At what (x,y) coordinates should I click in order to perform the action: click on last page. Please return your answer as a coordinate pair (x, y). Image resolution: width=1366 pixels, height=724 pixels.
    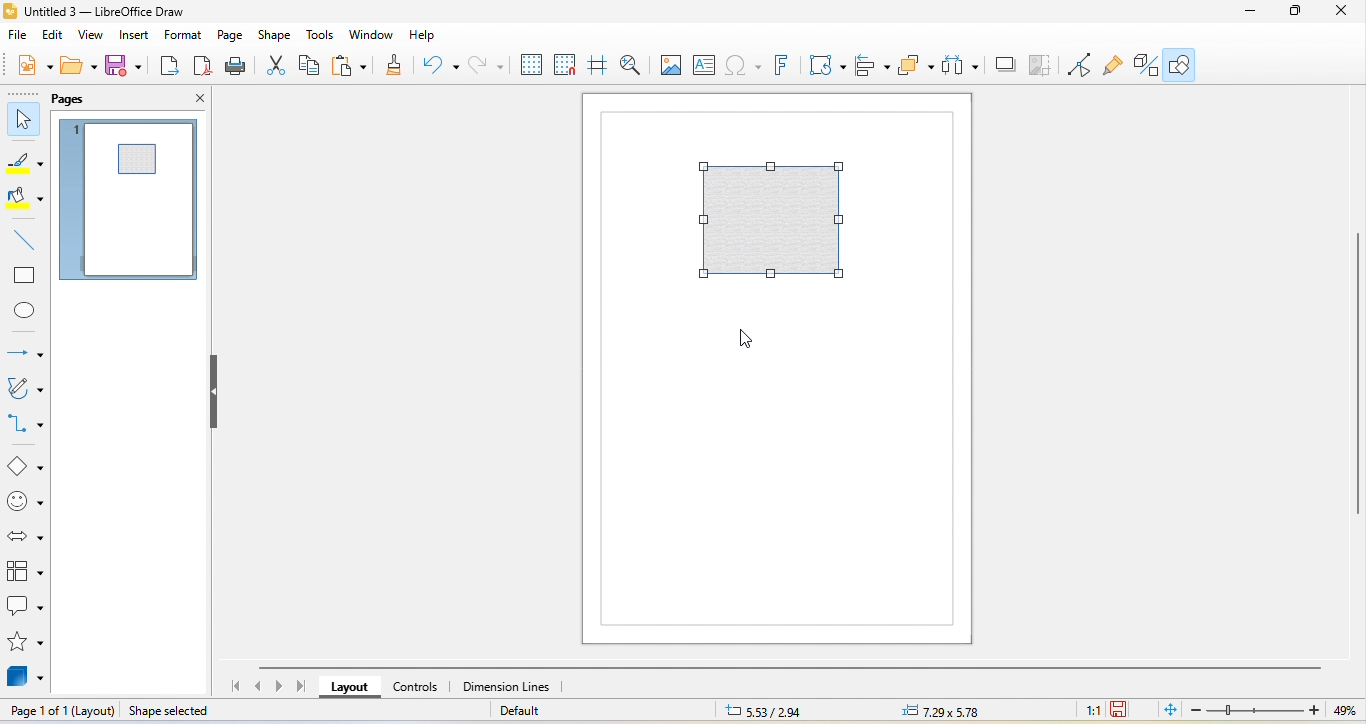
    Looking at the image, I should click on (299, 687).